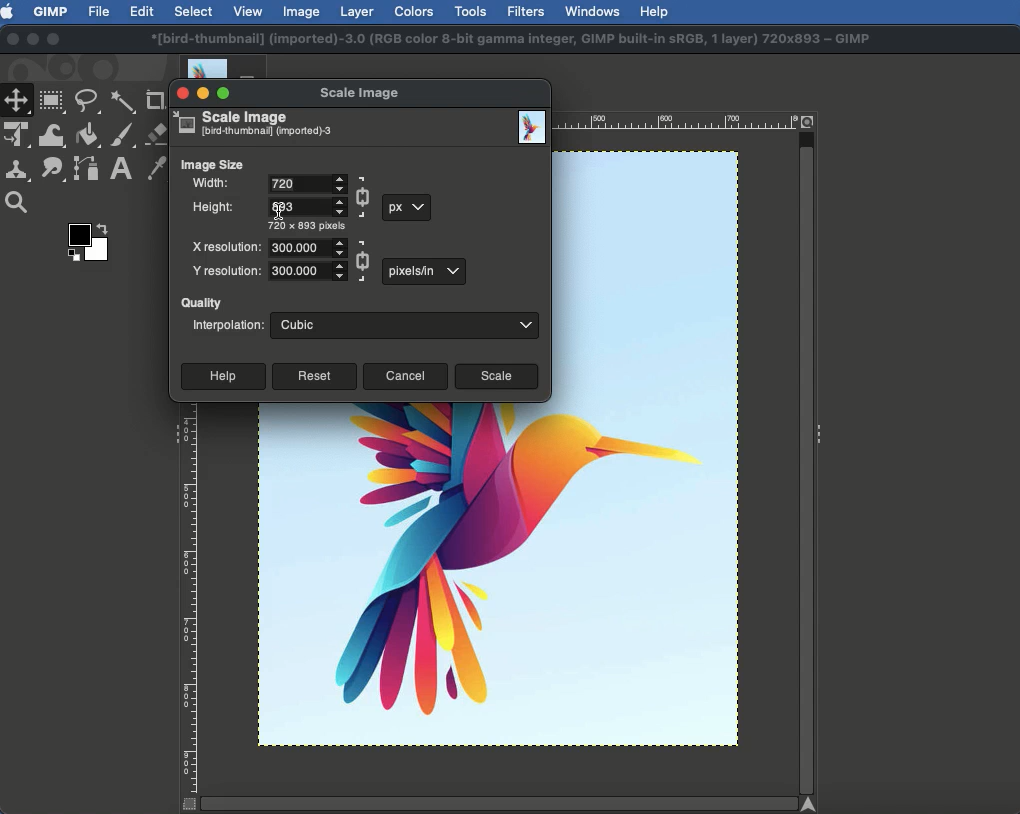 This screenshot has height=814, width=1020. I want to click on Freeform selector, so click(88, 101).